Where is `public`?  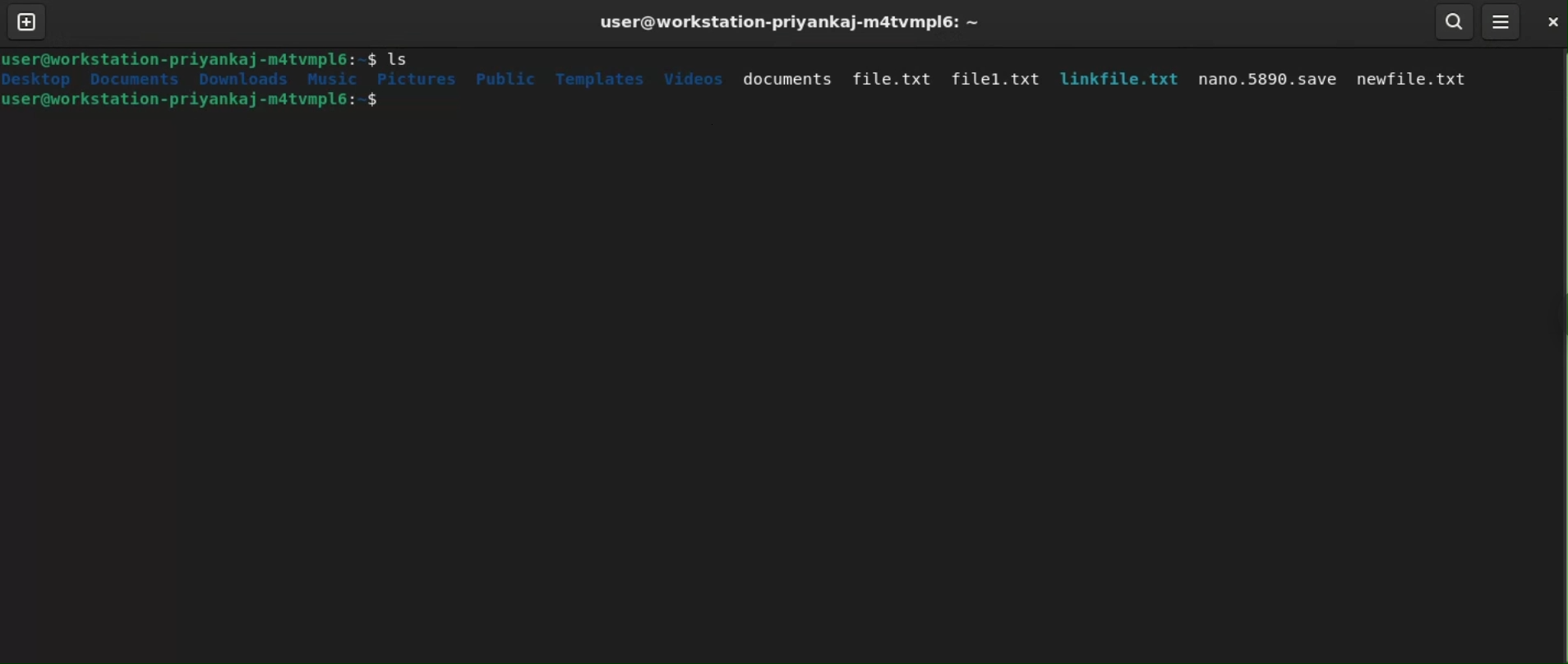 public is located at coordinates (505, 79).